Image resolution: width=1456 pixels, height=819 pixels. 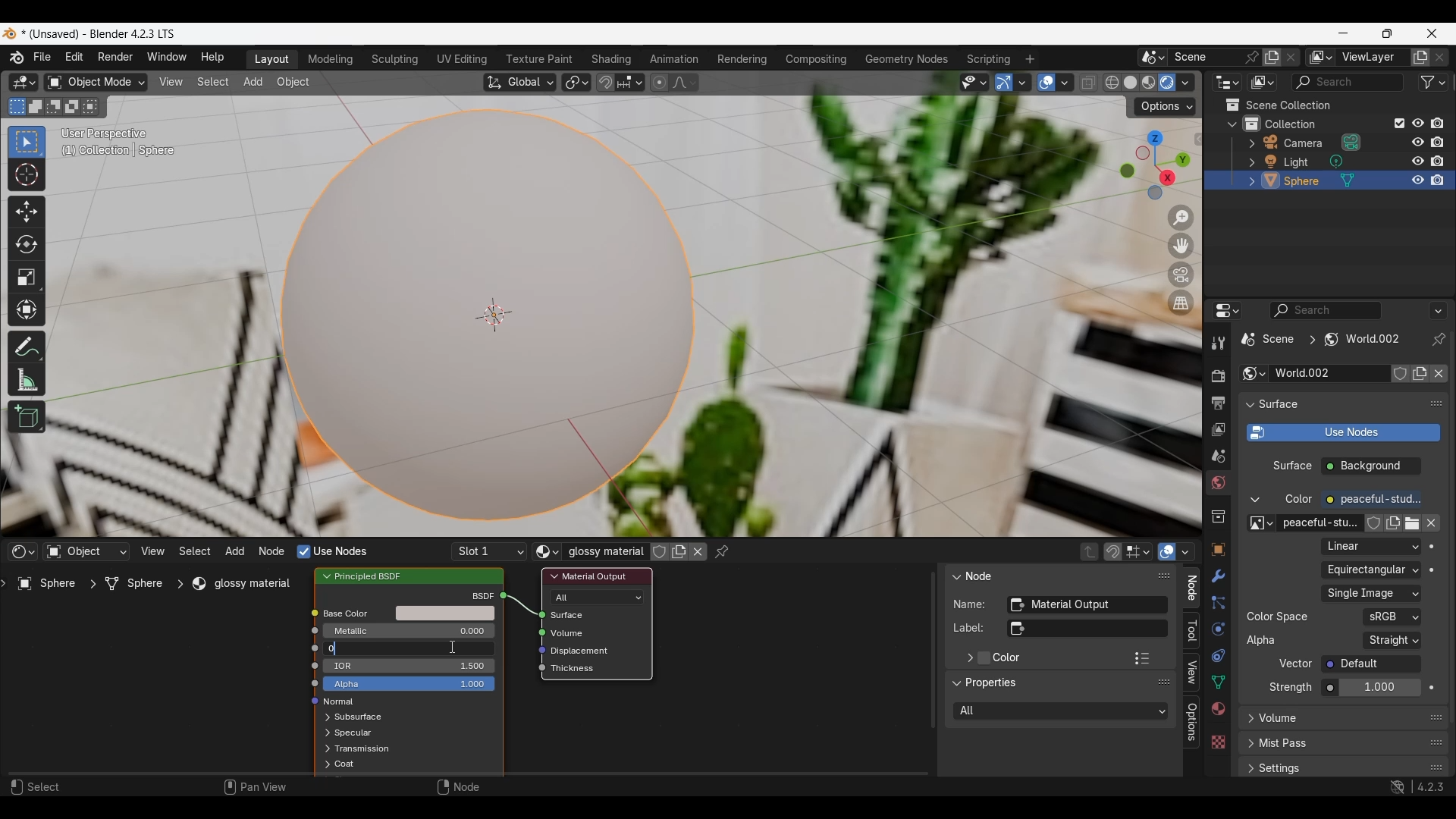 I want to click on Shading workspace, so click(x=611, y=60).